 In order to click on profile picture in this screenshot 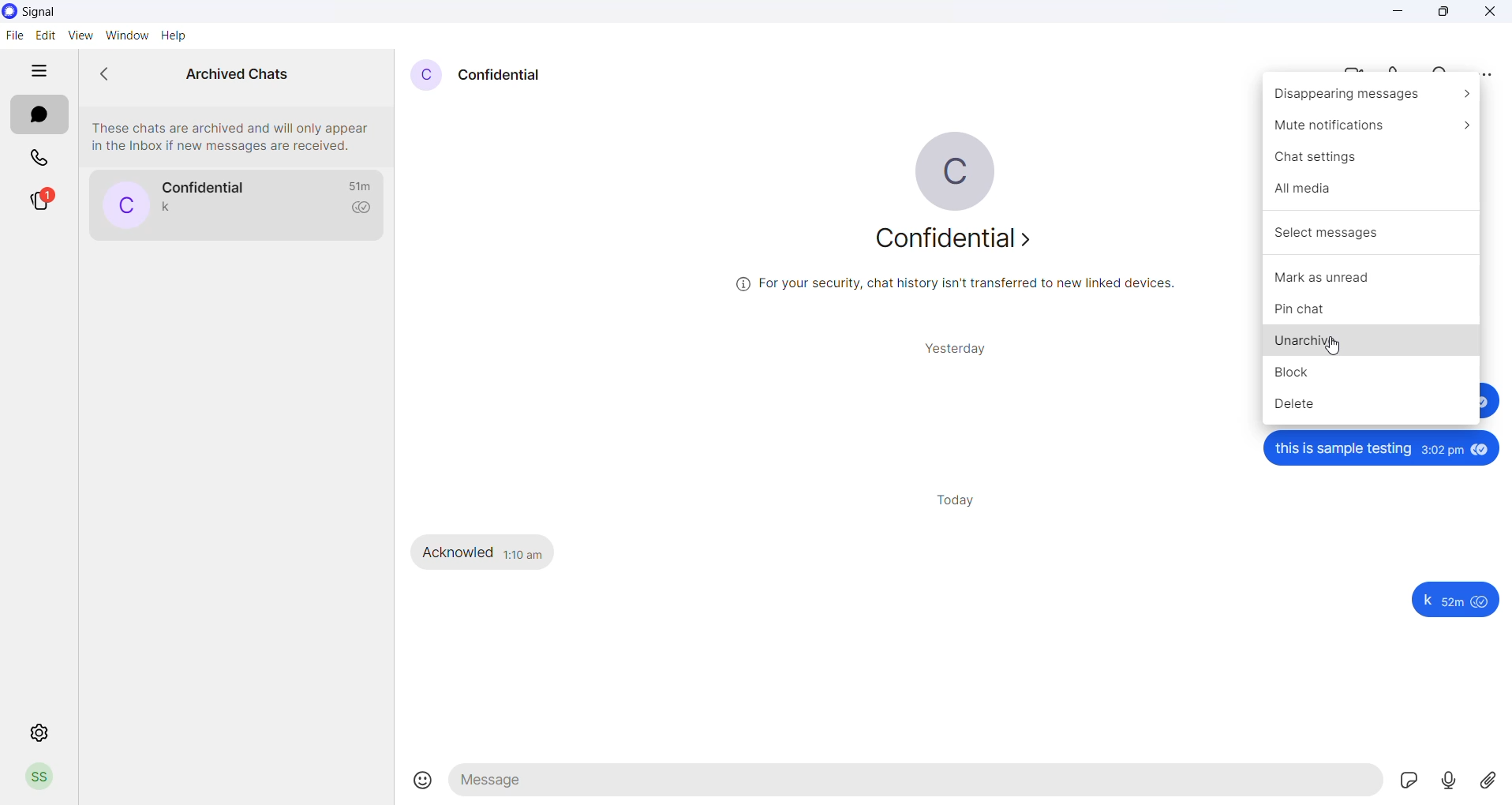, I will do `click(957, 171)`.